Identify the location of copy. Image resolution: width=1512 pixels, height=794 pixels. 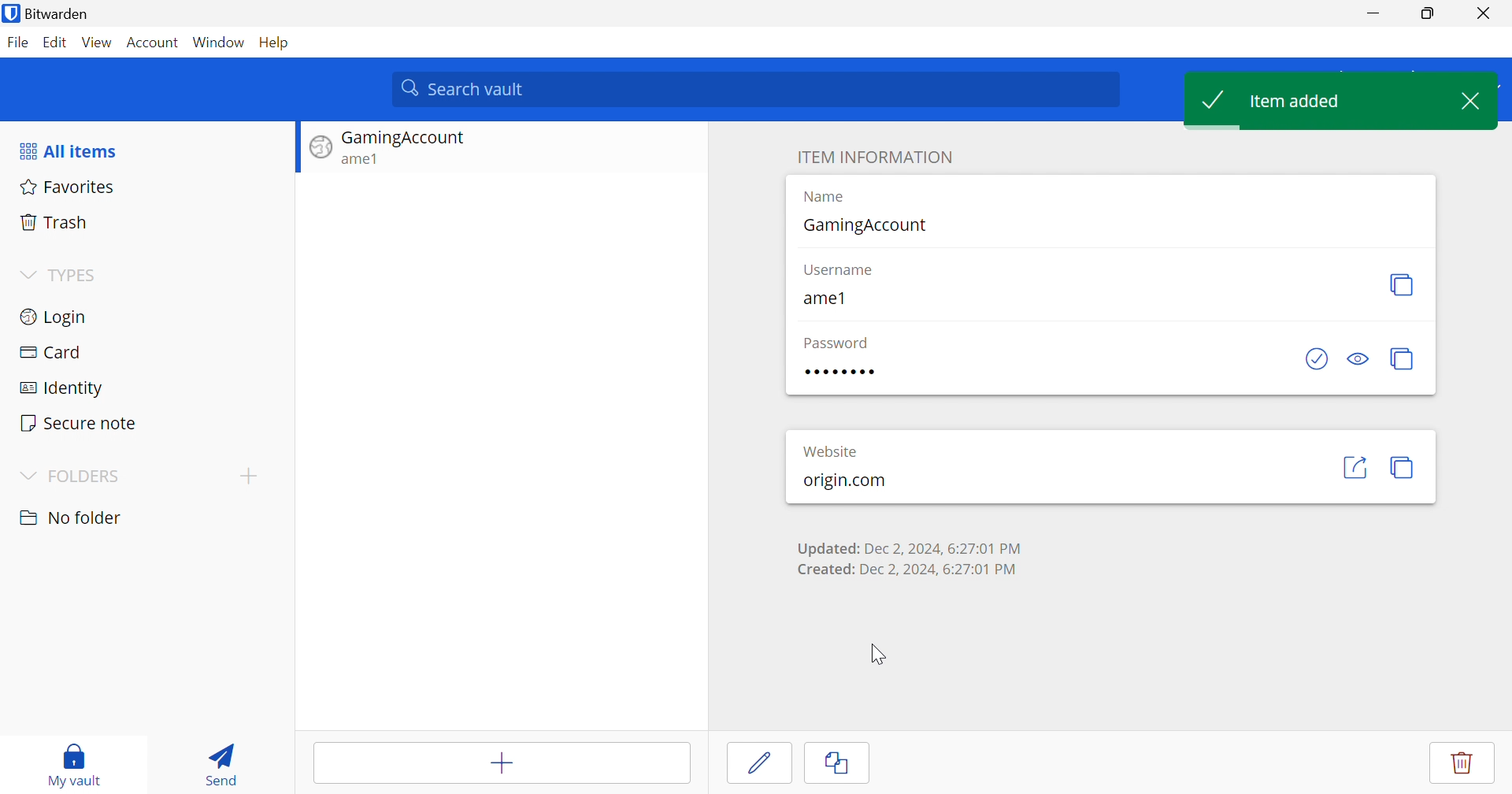
(837, 762).